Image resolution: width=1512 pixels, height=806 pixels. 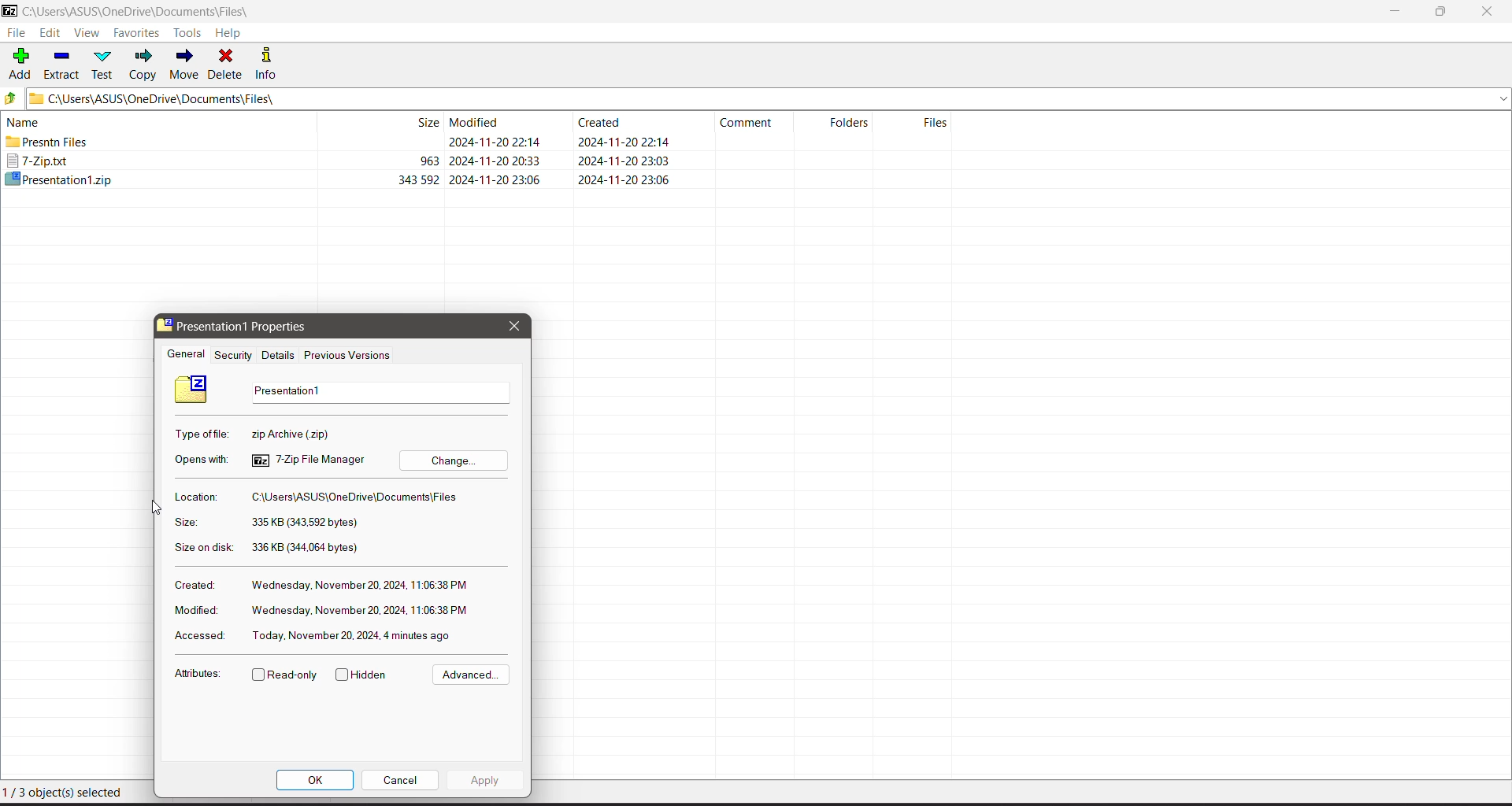 What do you see at coordinates (69, 794) in the screenshot?
I see `Current Selection` at bounding box center [69, 794].